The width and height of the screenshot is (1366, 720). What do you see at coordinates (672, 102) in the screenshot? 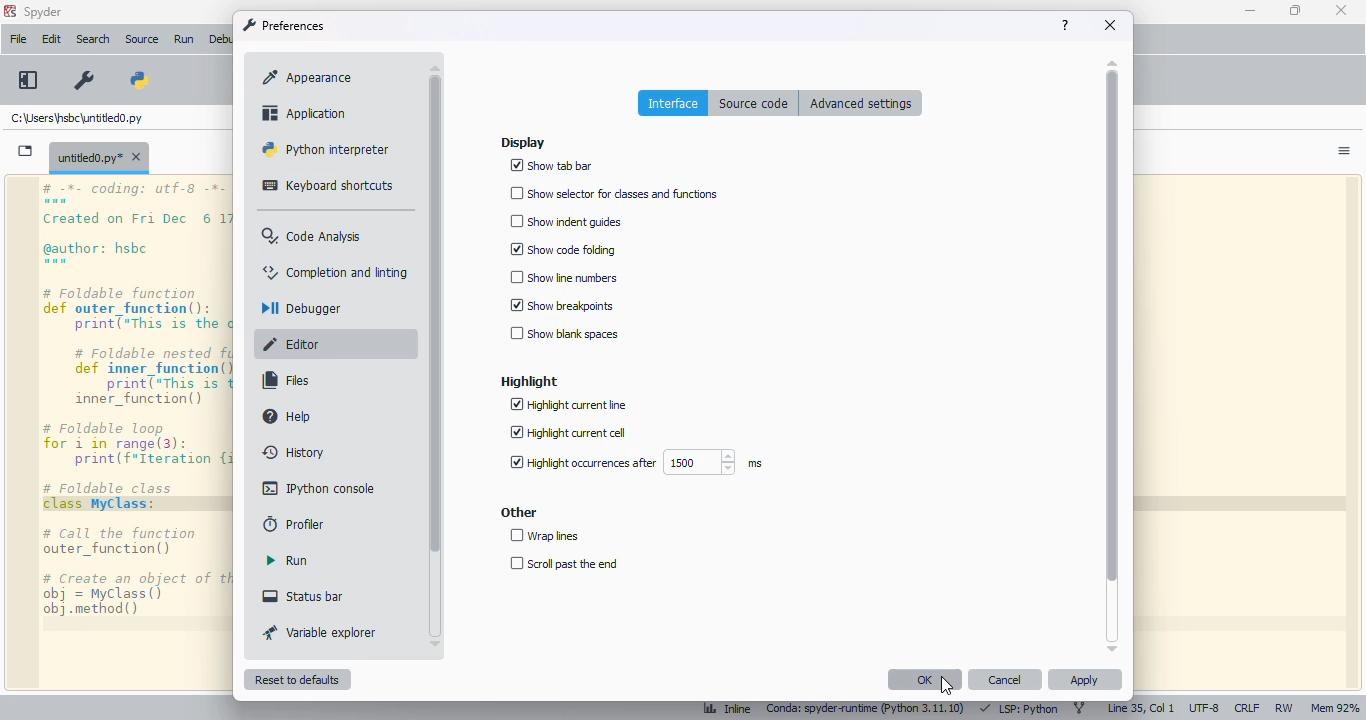
I see `interface` at bounding box center [672, 102].